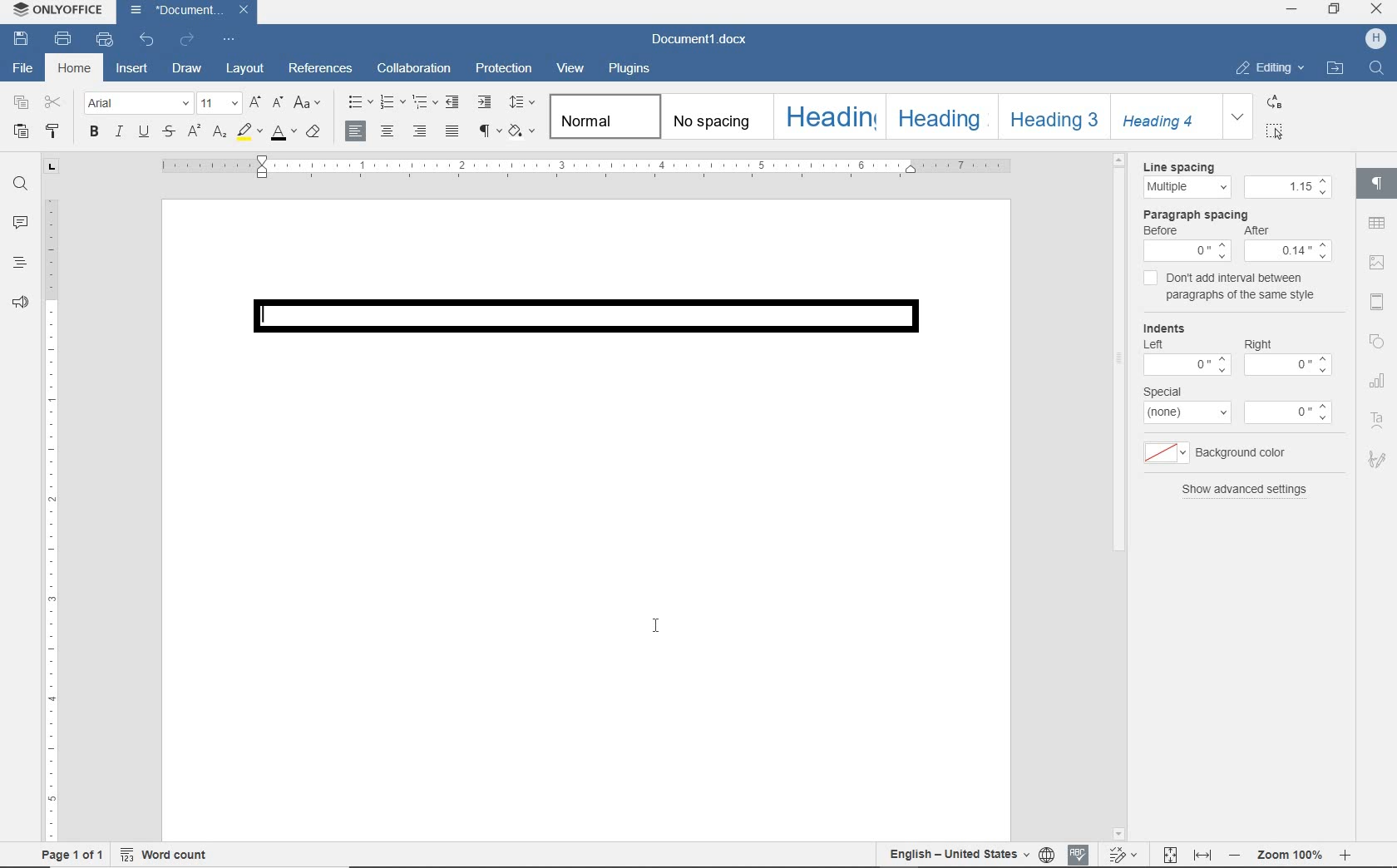 This screenshot has height=868, width=1397. What do you see at coordinates (1233, 455) in the screenshot?
I see `background color` at bounding box center [1233, 455].